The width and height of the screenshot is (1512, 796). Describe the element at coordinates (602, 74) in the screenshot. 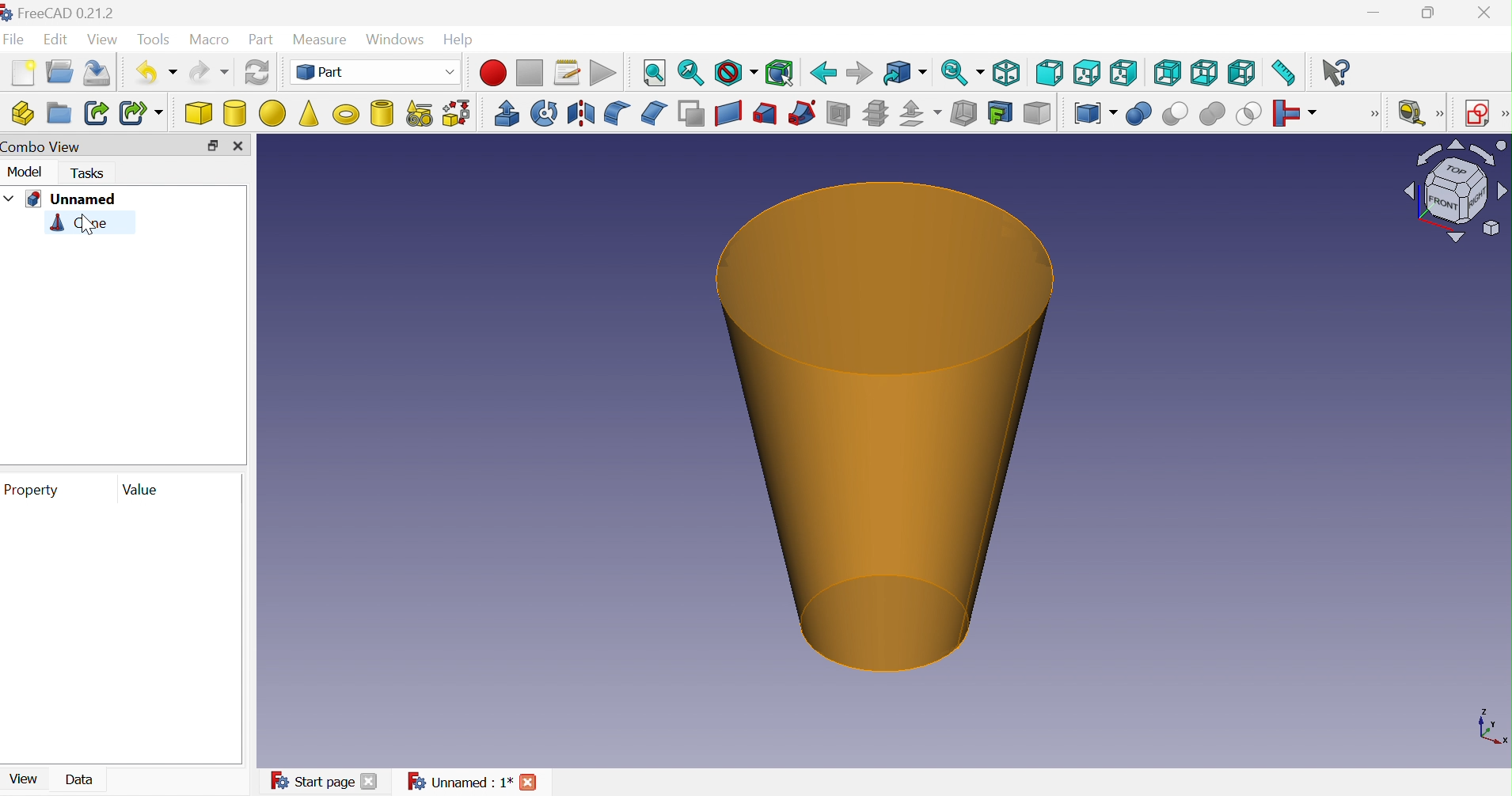

I see `Execute macro` at that location.